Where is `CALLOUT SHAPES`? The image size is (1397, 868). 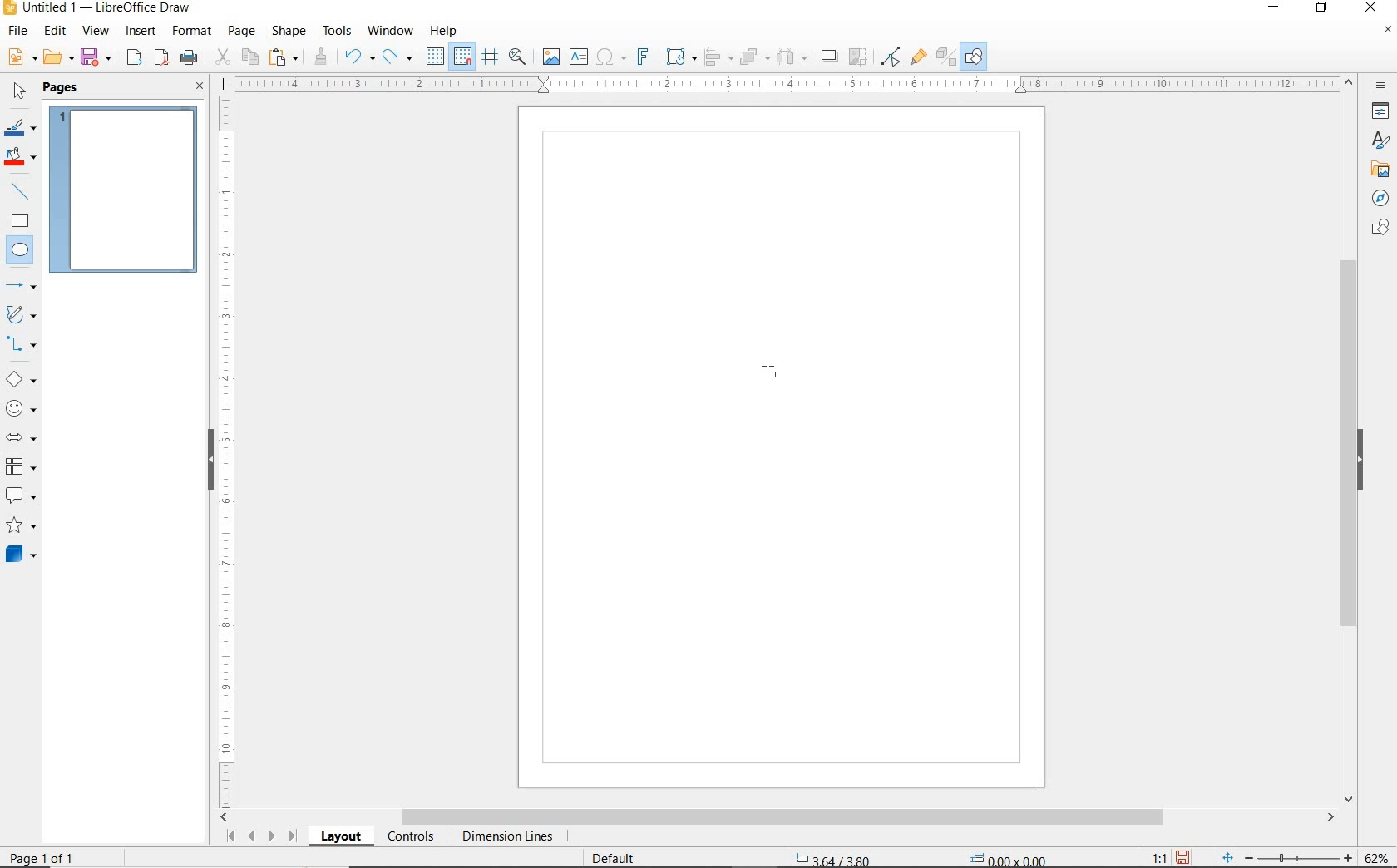 CALLOUT SHAPES is located at coordinates (20, 496).